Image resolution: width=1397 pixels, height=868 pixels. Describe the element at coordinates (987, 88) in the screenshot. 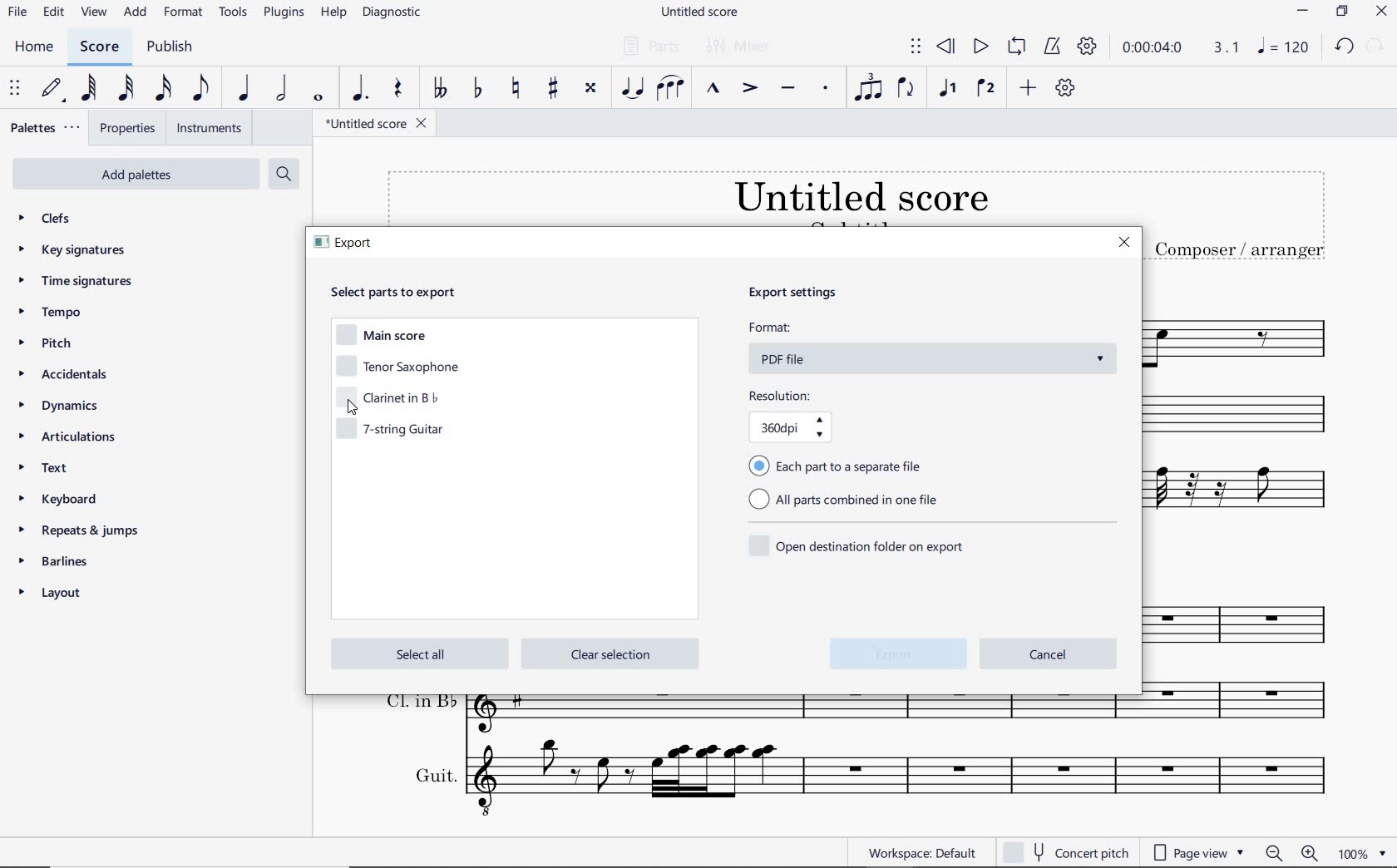

I see `VOICE 2` at that location.